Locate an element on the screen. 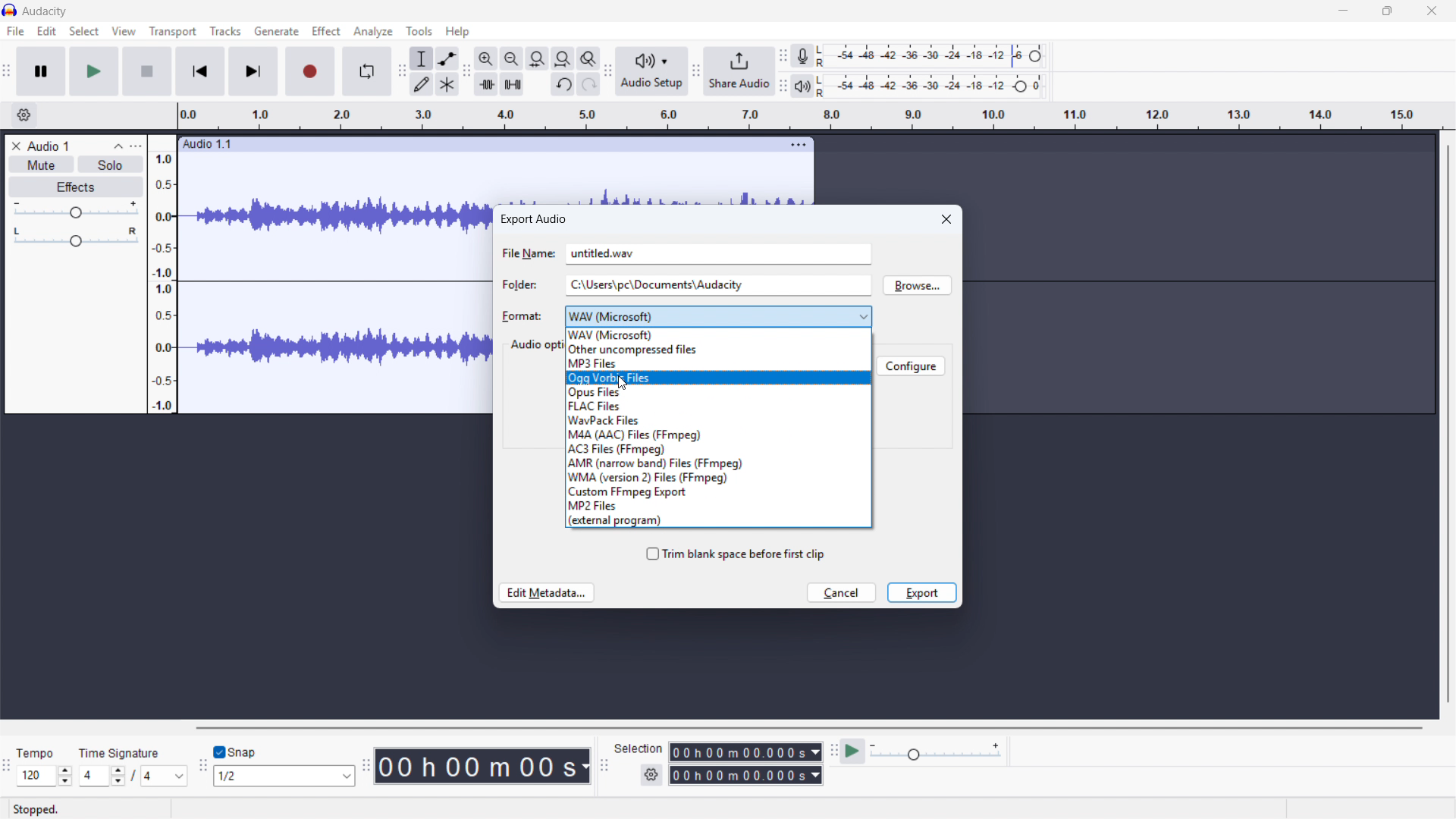 This screenshot has height=819, width=1456. Effects  is located at coordinates (74, 187).